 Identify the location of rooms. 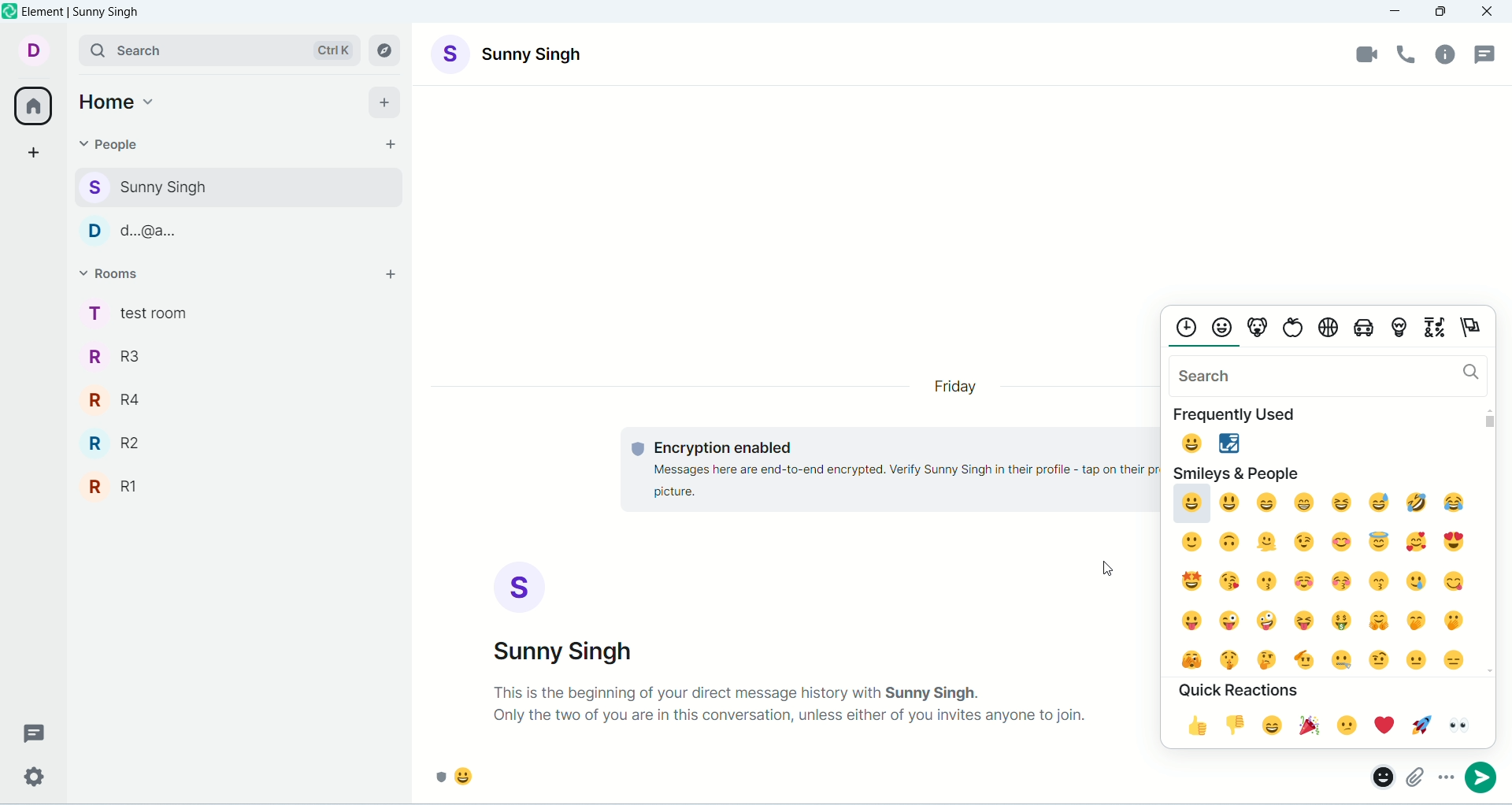
(116, 273).